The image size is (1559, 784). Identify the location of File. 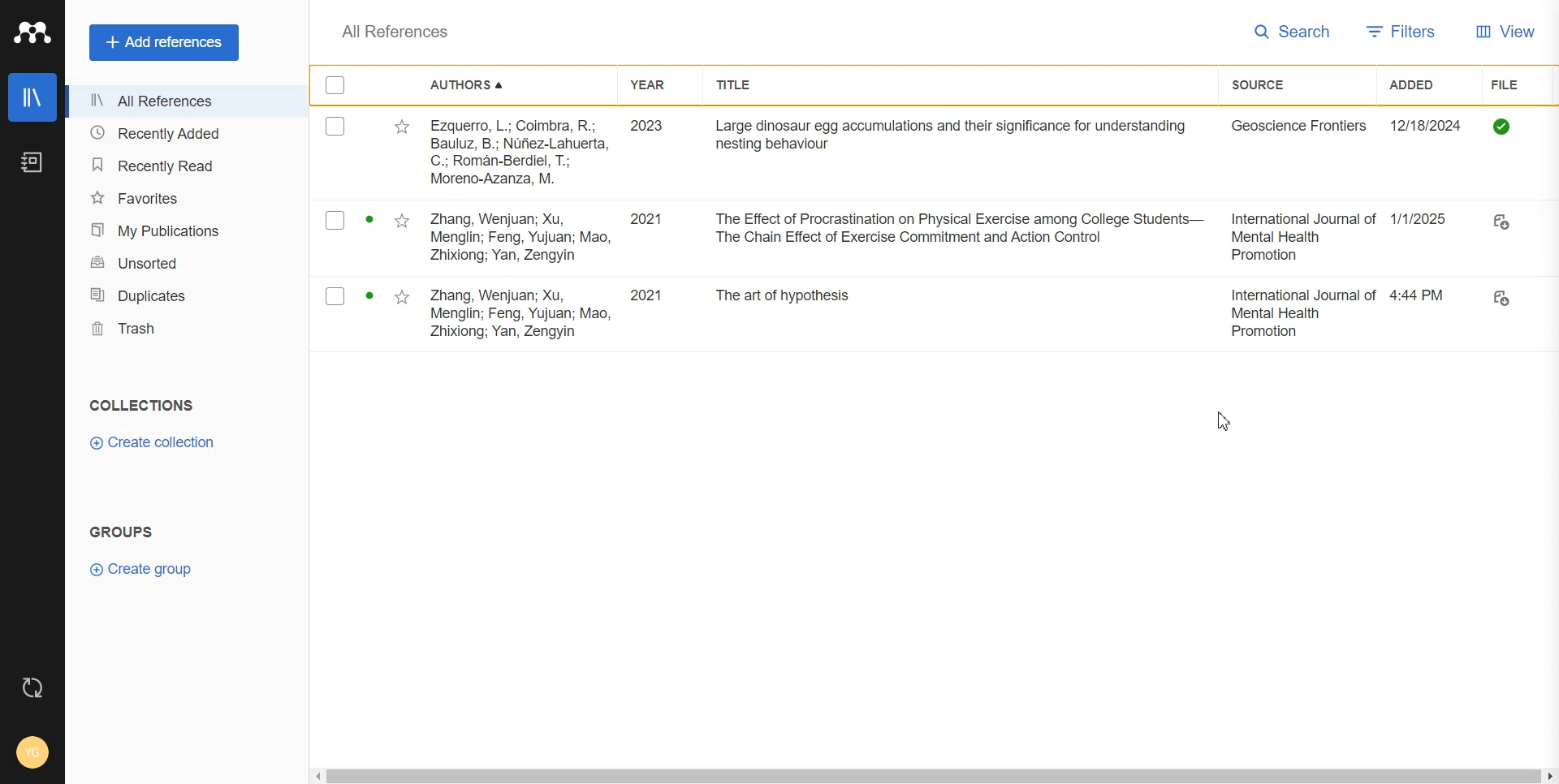
(1505, 299).